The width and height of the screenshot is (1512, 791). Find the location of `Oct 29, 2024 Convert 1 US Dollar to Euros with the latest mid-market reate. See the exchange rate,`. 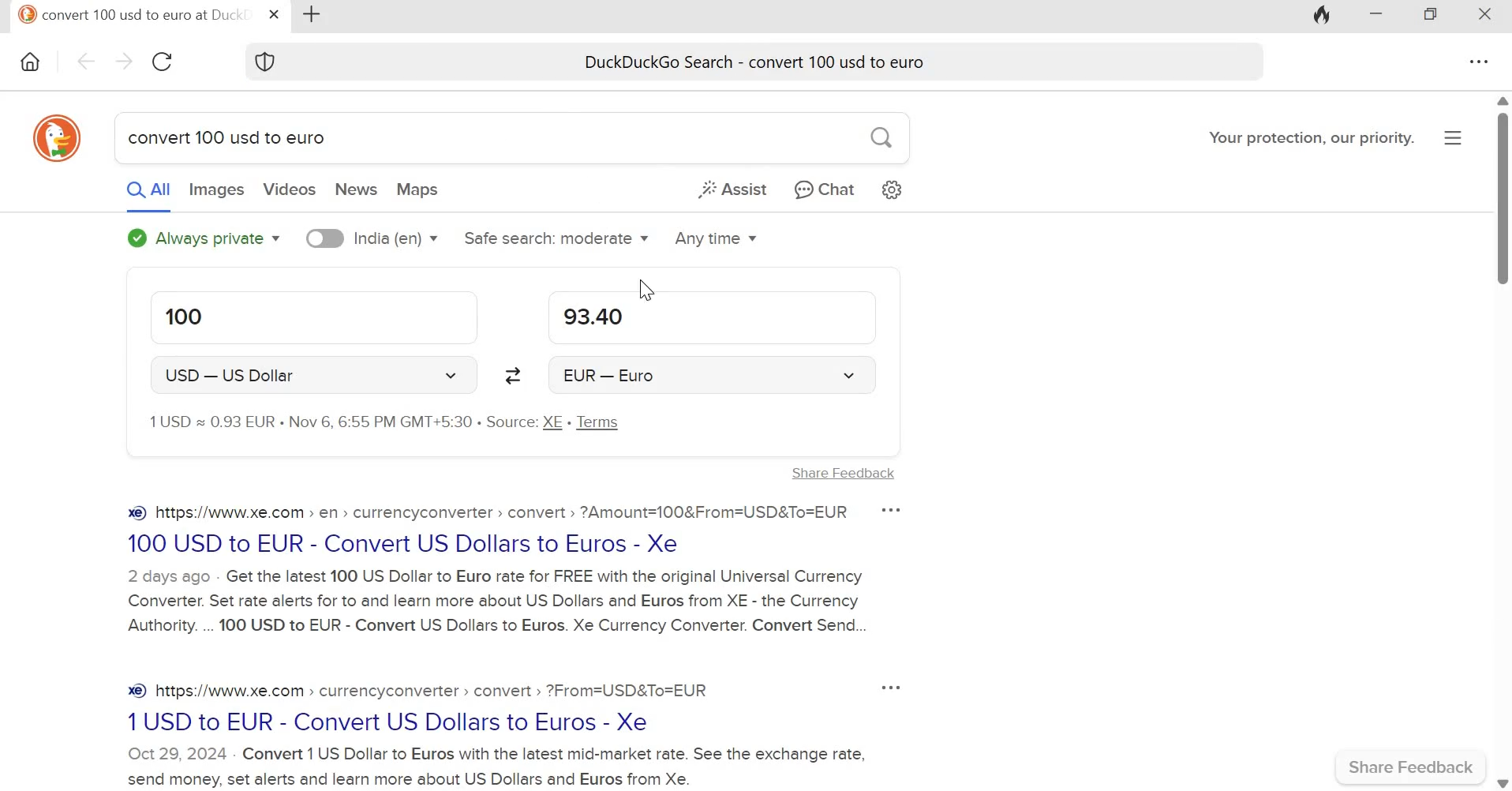

Oct 29, 2024 Convert 1 US Dollar to Euros with the latest mid-market reate. See the exchange rate, is located at coordinates (500, 754).